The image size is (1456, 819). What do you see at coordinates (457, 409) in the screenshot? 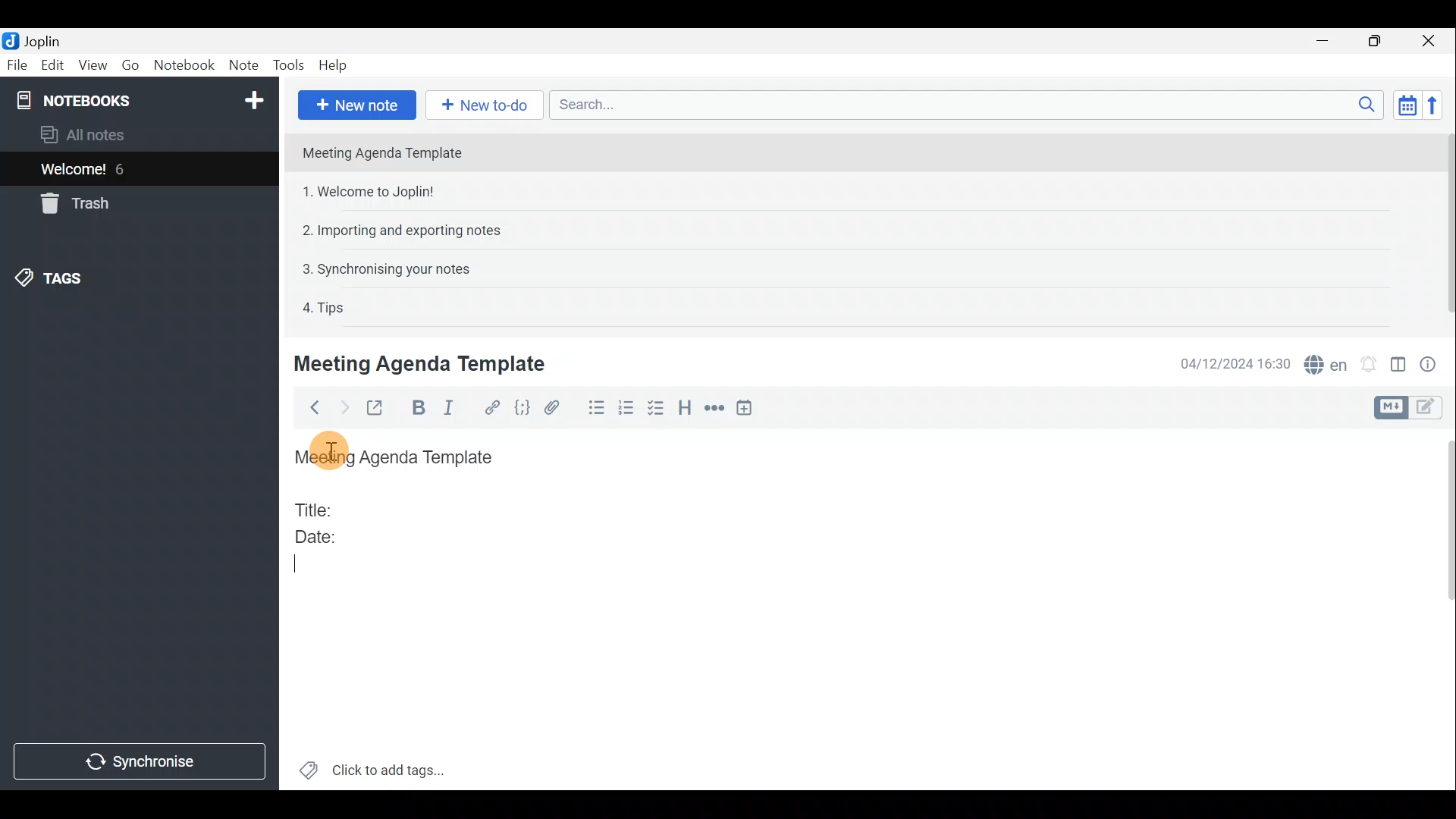
I see `Italic` at bounding box center [457, 409].